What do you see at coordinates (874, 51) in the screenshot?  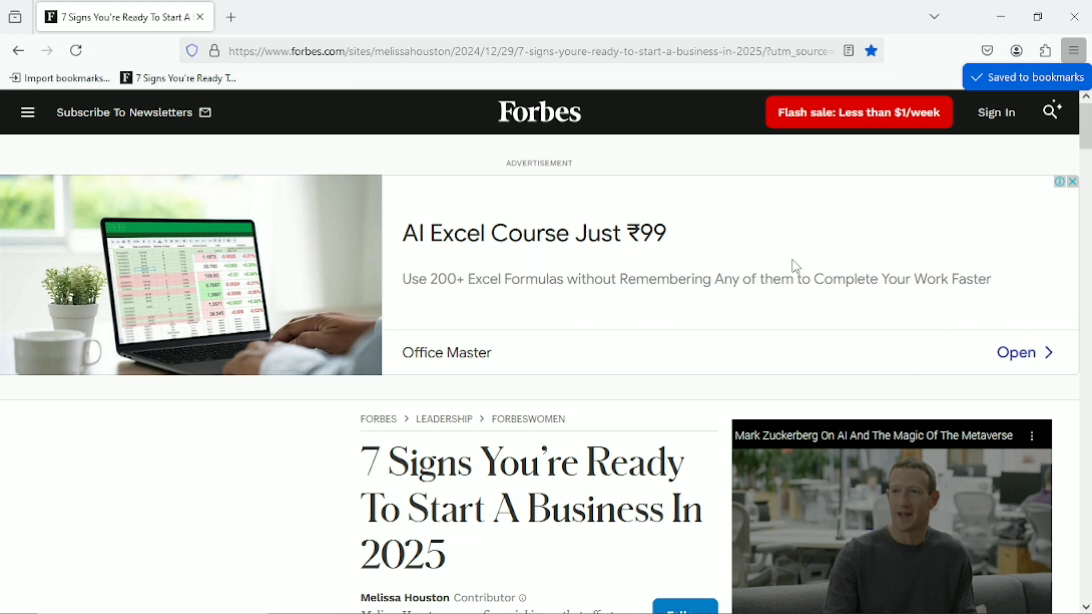 I see `Bookmark this page` at bounding box center [874, 51].